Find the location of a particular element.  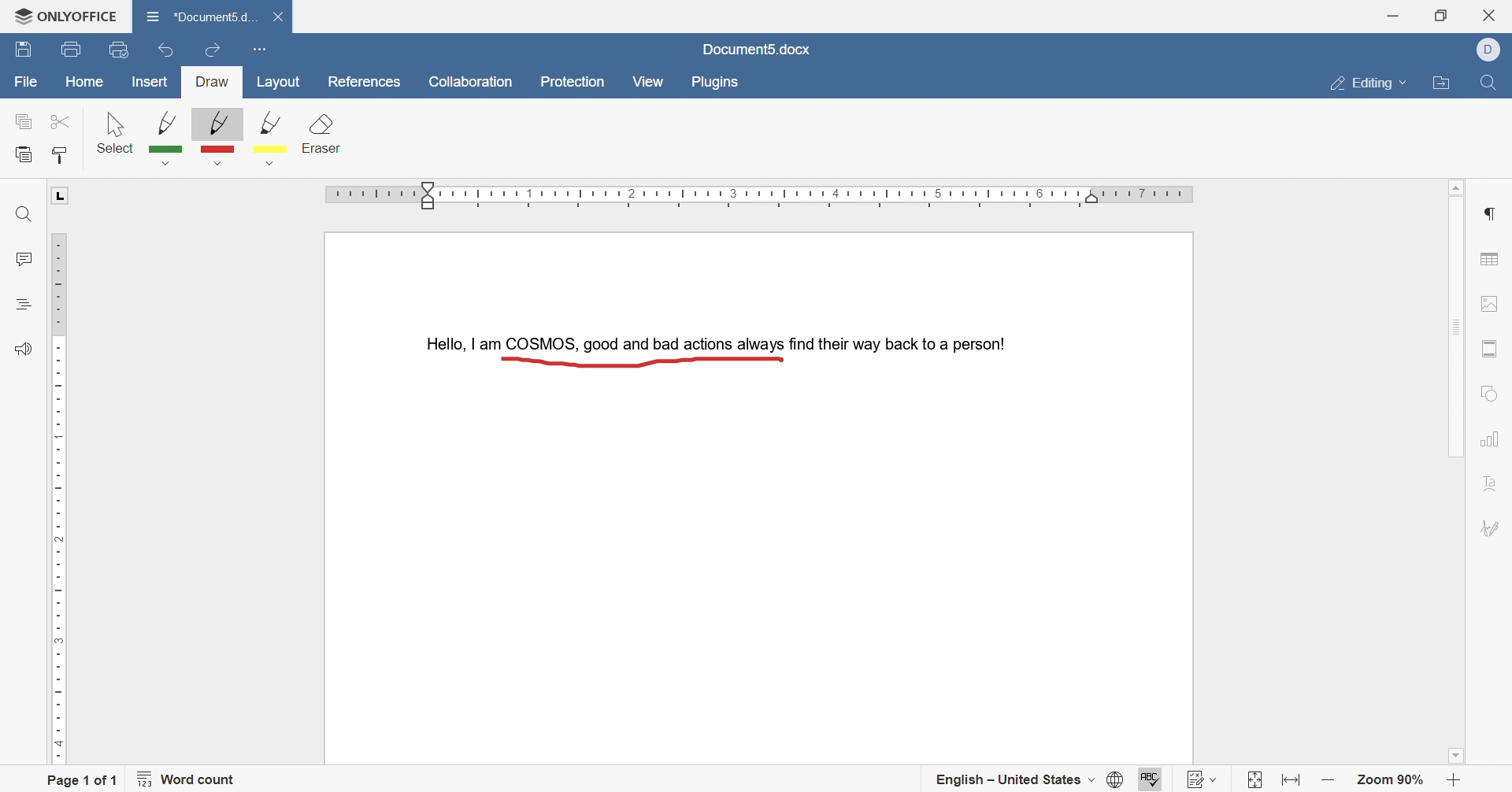

zoom in is located at coordinates (1453, 781).